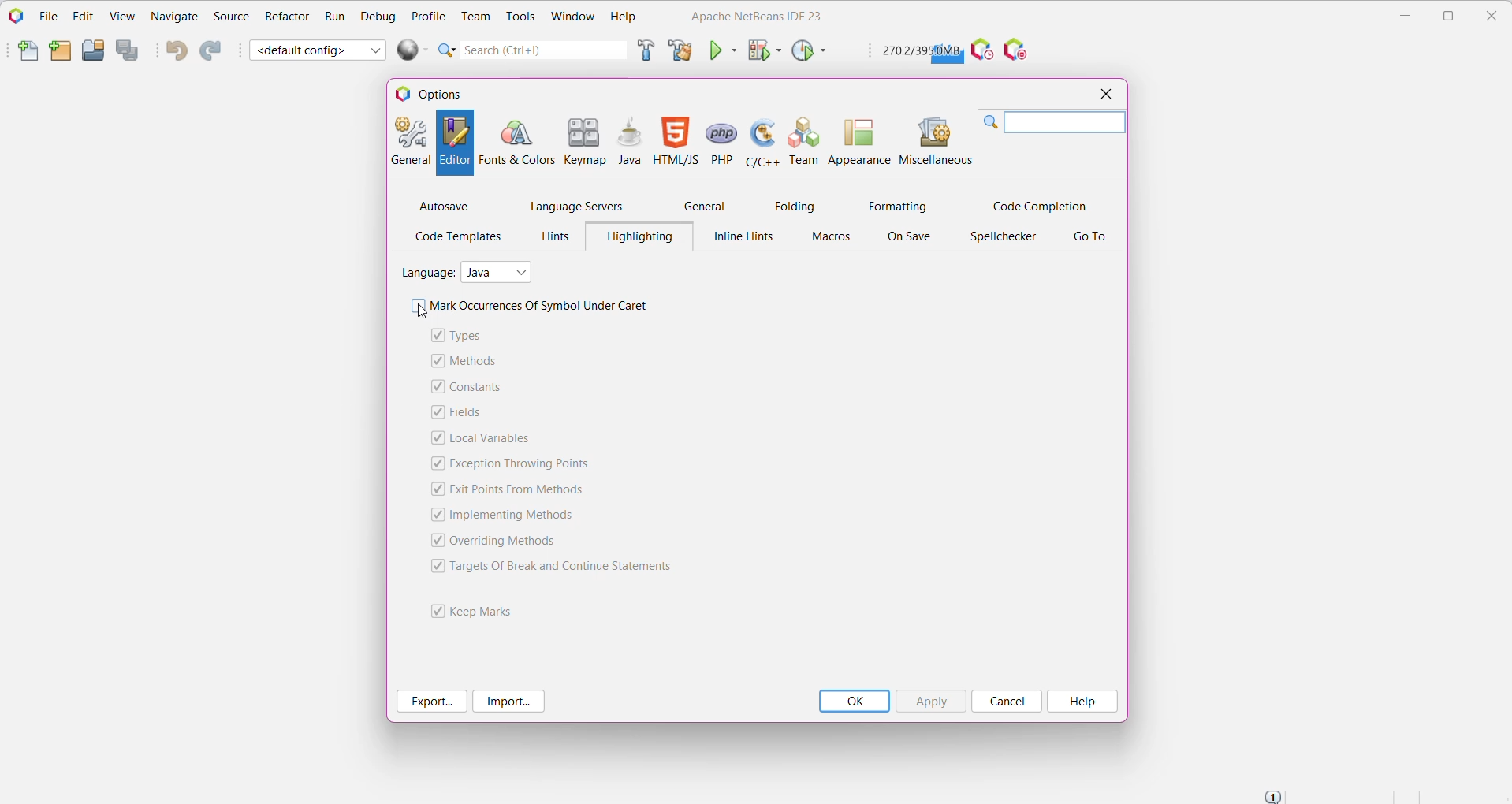 The width and height of the screenshot is (1512, 804). Describe the element at coordinates (402, 95) in the screenshot. I see `logo` at that location.